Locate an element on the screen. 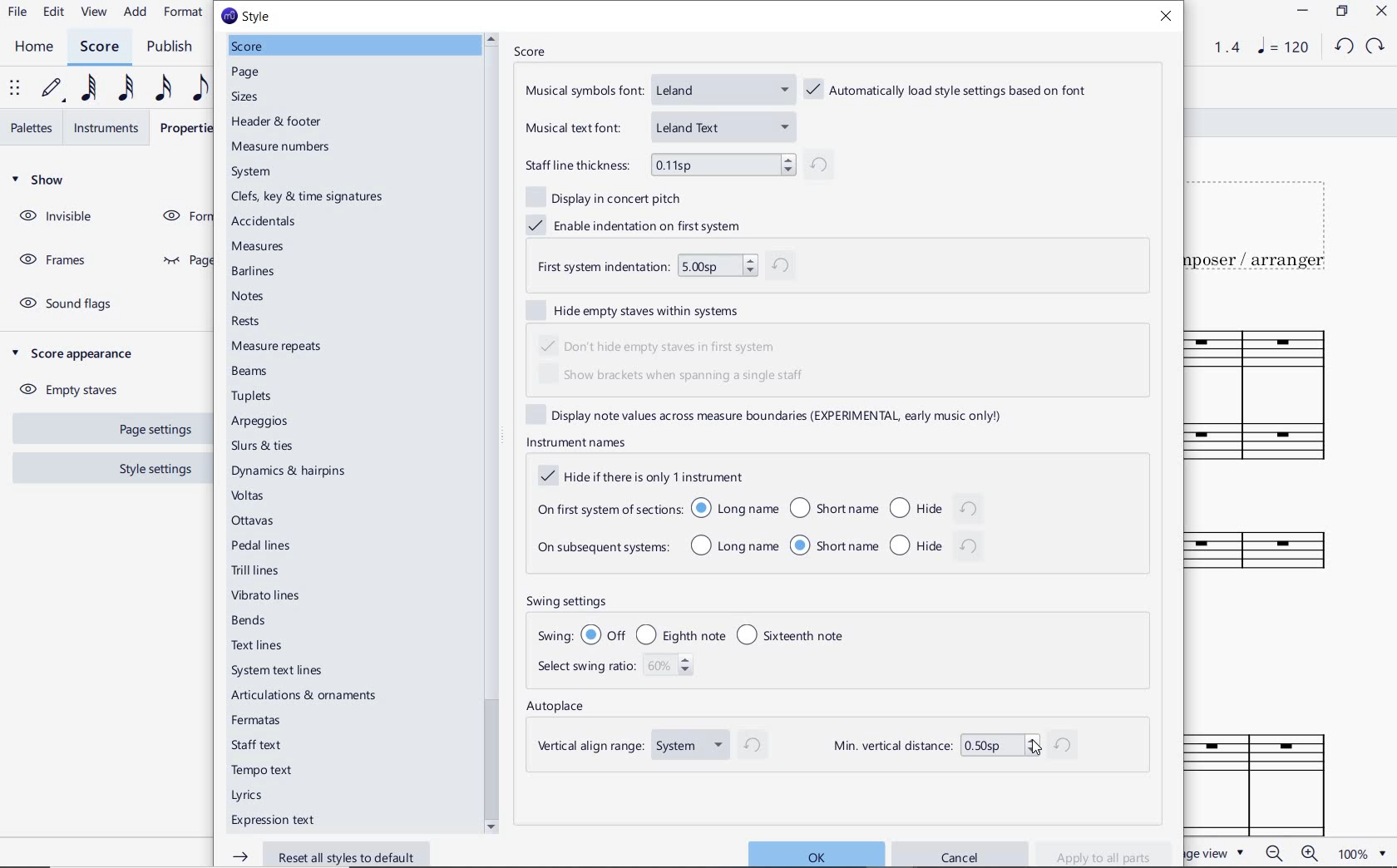 The image size is (1397, 868). UNDO is located at coordinates (1344, 45).